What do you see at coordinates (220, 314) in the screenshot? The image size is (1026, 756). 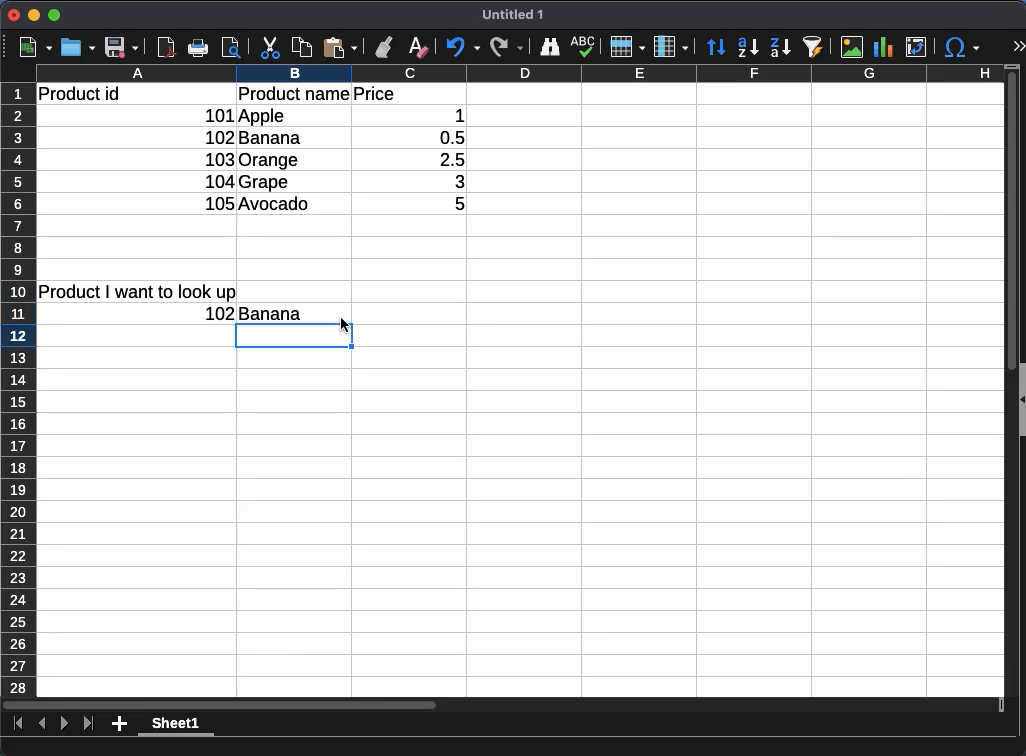 I see `102` at bounding box center [220, 314].